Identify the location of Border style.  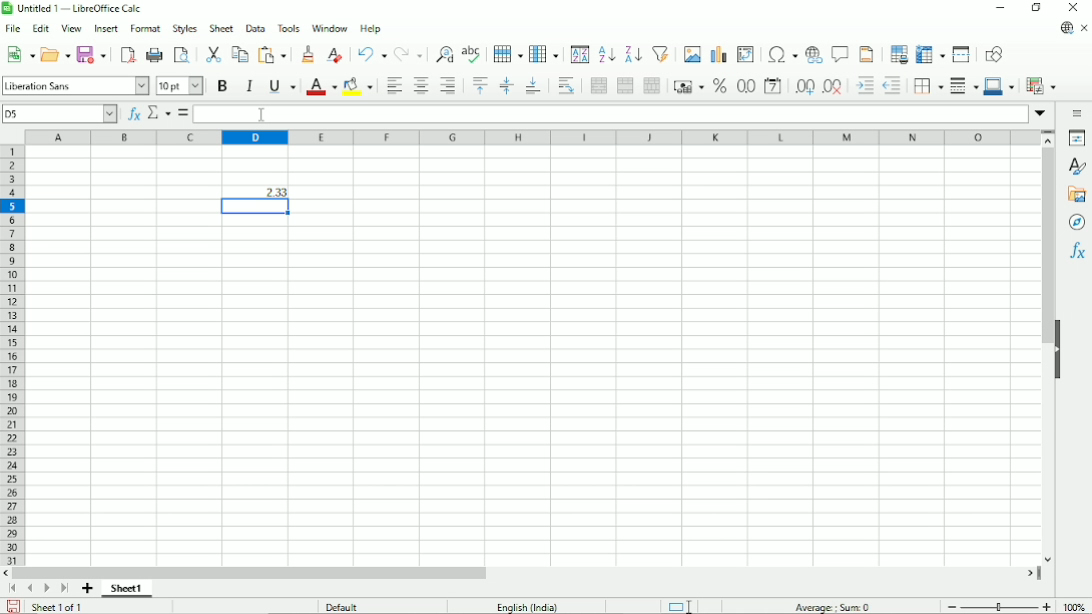
(966, 86).